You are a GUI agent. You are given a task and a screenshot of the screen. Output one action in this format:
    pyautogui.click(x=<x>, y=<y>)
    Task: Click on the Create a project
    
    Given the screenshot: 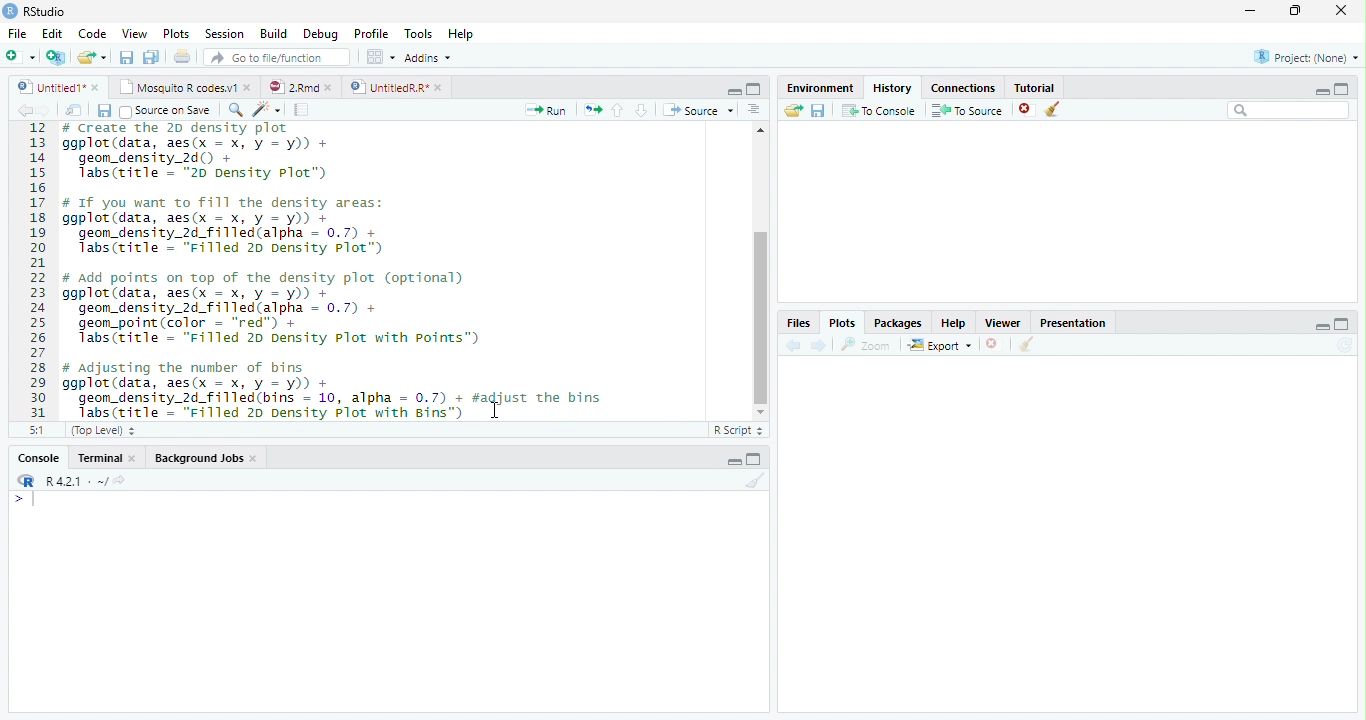 What is the action you would take?
    pyautogui.click(x=55, y=57)
    